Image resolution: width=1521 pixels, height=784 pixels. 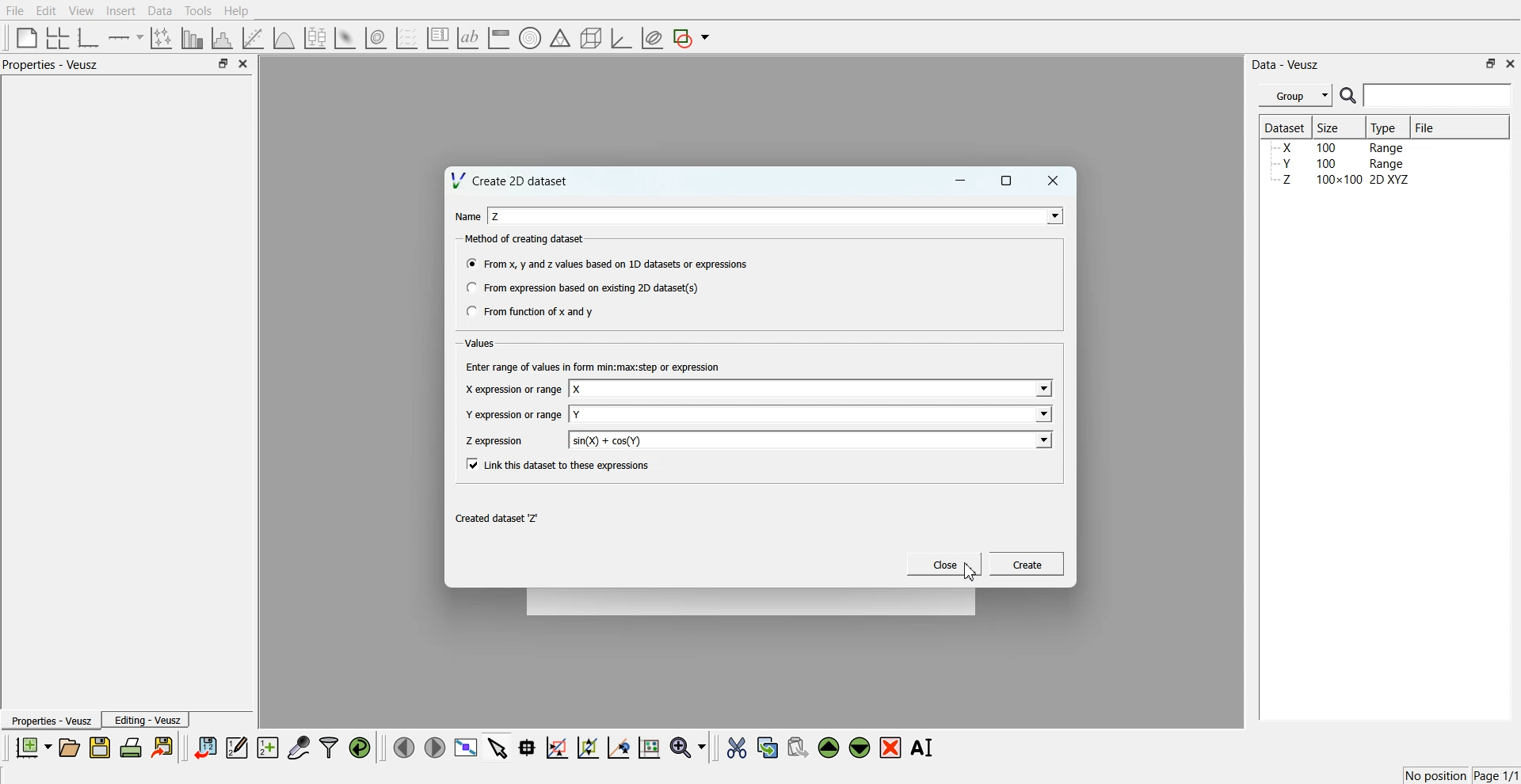 I want to click on File, so click(x=15, y=10).